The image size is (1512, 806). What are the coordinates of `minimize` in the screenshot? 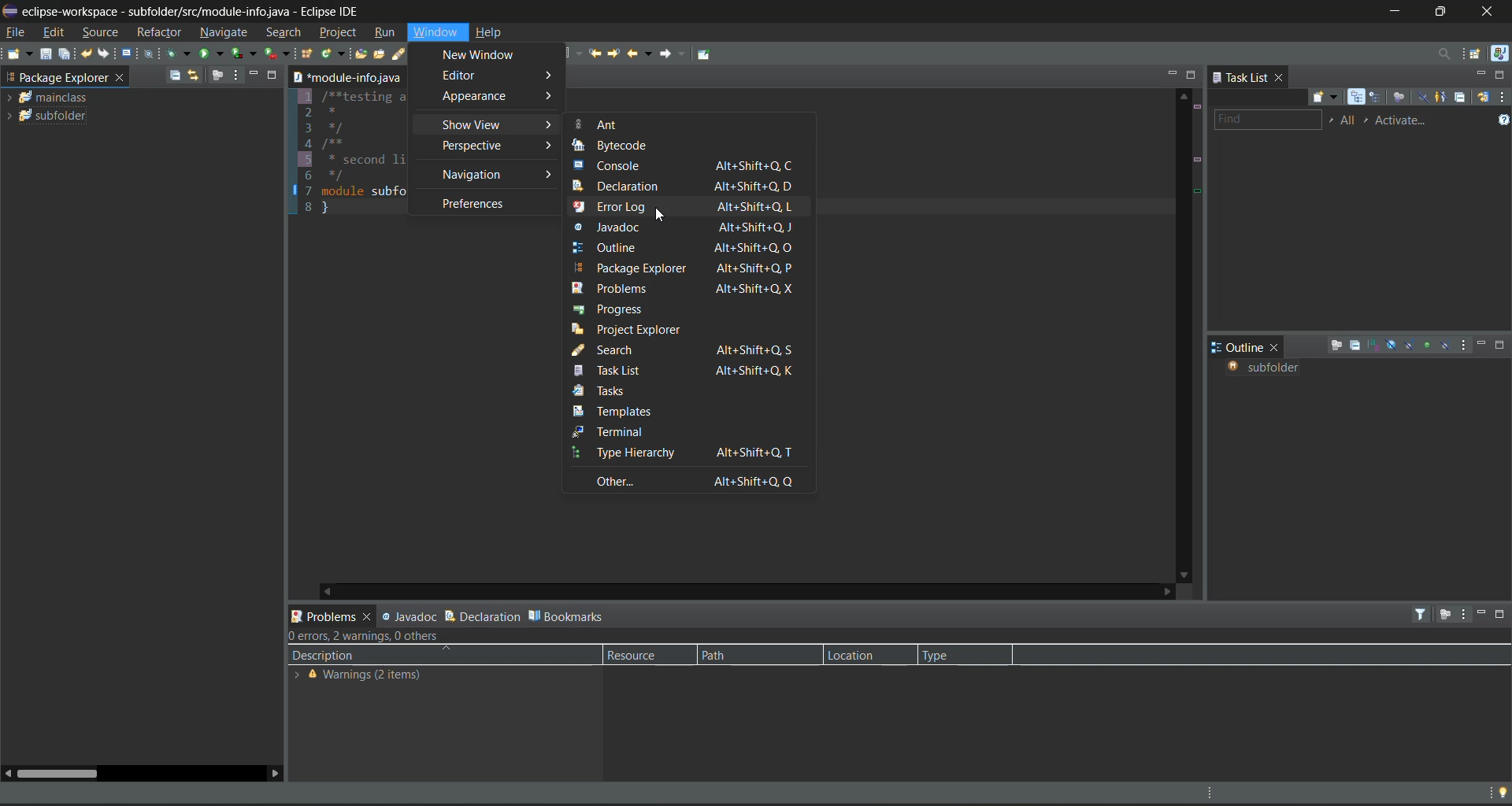 It's located at (1484, 344).